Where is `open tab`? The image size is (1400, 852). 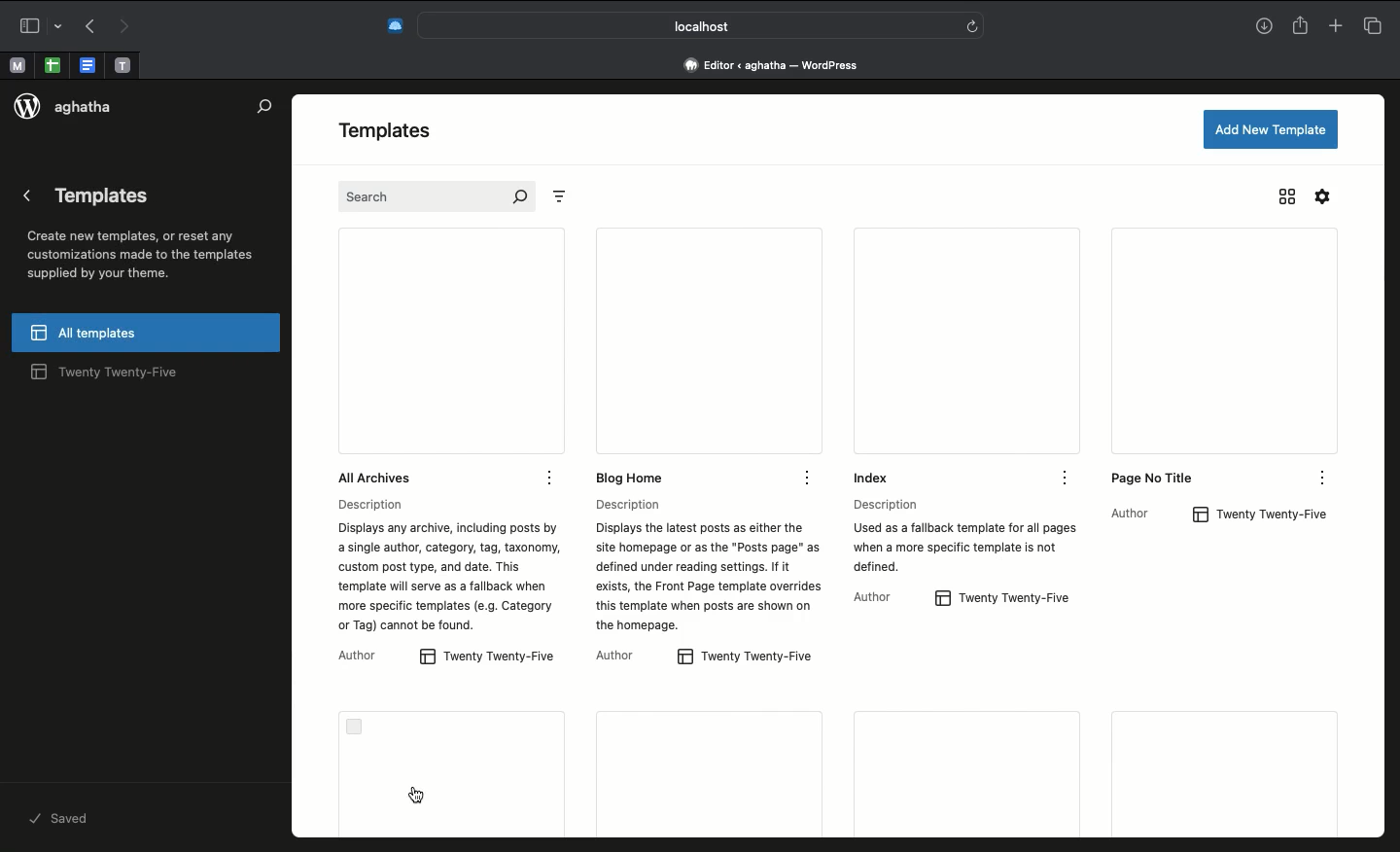
open tab is located at coordinates (17, 66).